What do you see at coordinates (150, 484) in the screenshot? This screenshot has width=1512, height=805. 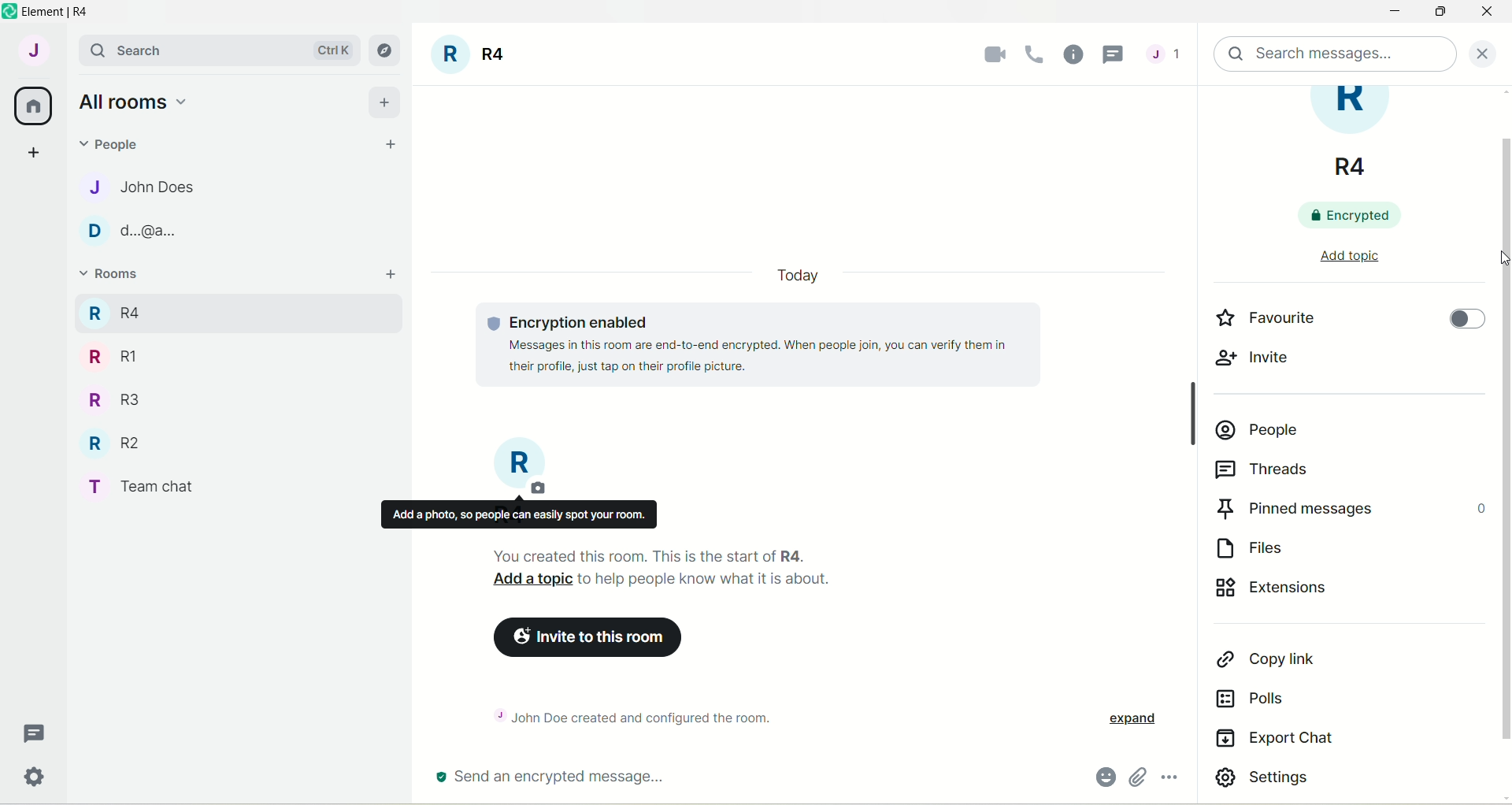 I see `T Team chat` at bounding box center [150, 484].